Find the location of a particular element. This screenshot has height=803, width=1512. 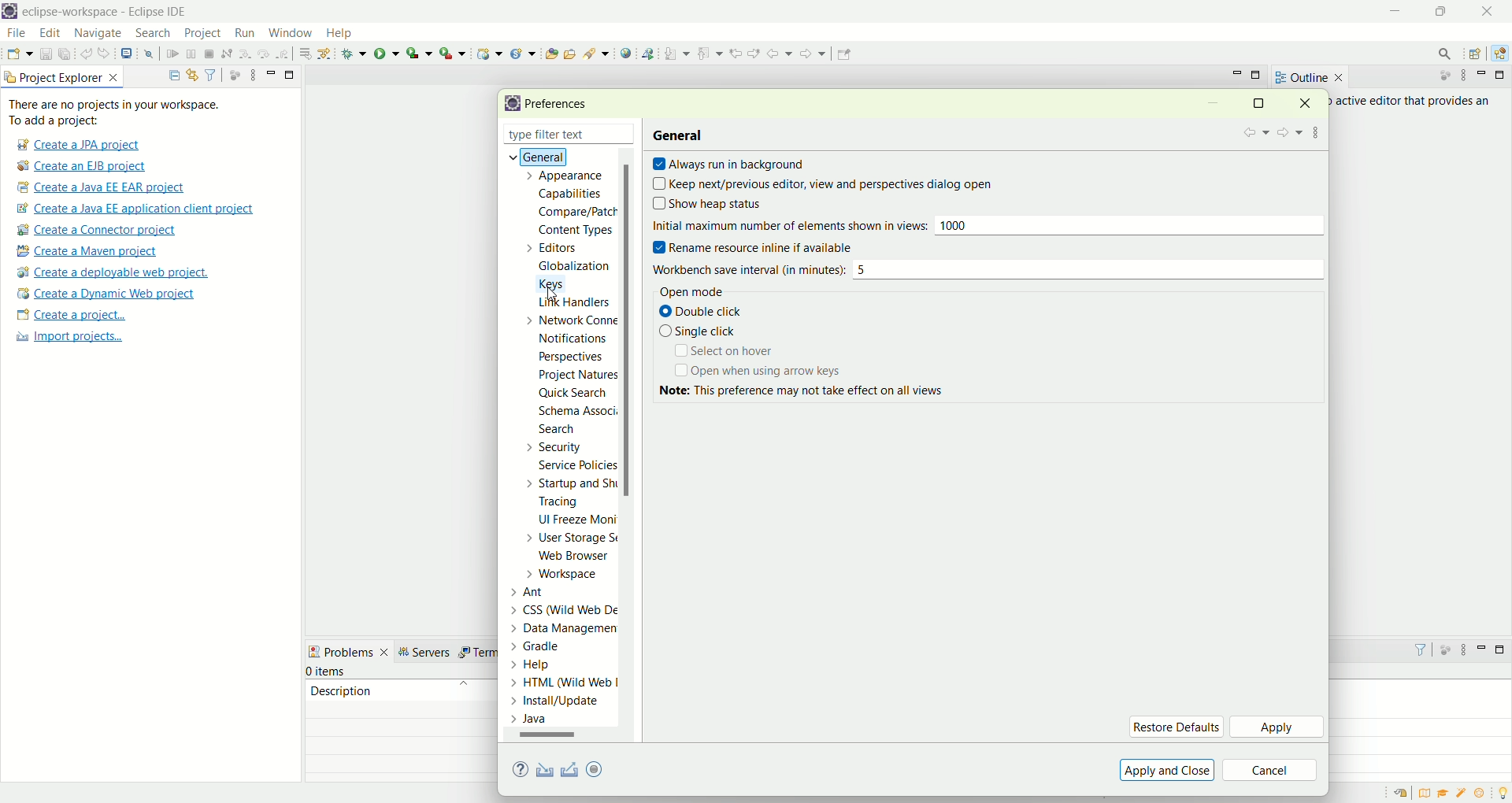

focus on active task is located at coordinates (233, 74).